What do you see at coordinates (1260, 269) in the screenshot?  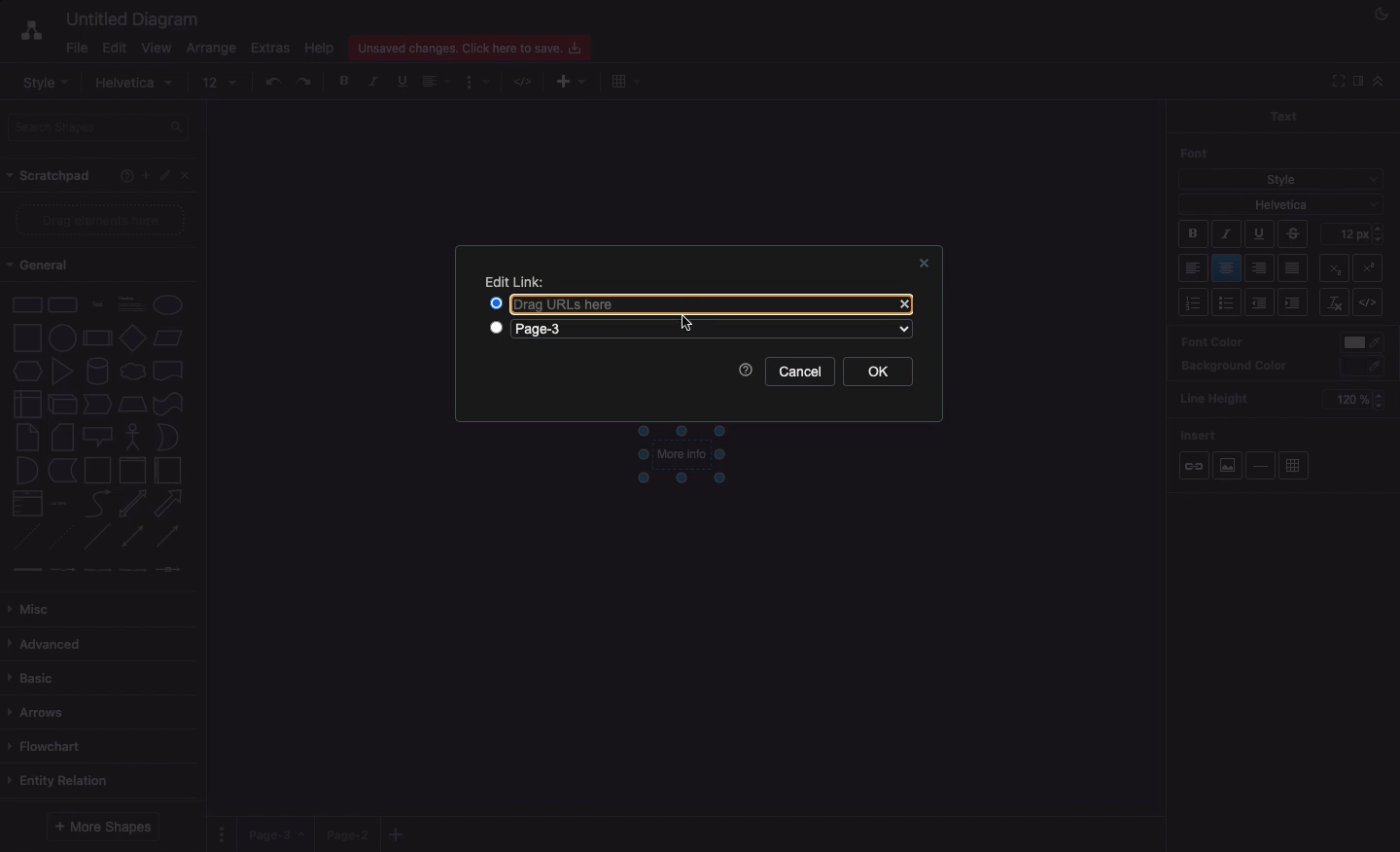 I see `Right aligned` at bounding box center [1260, 269].